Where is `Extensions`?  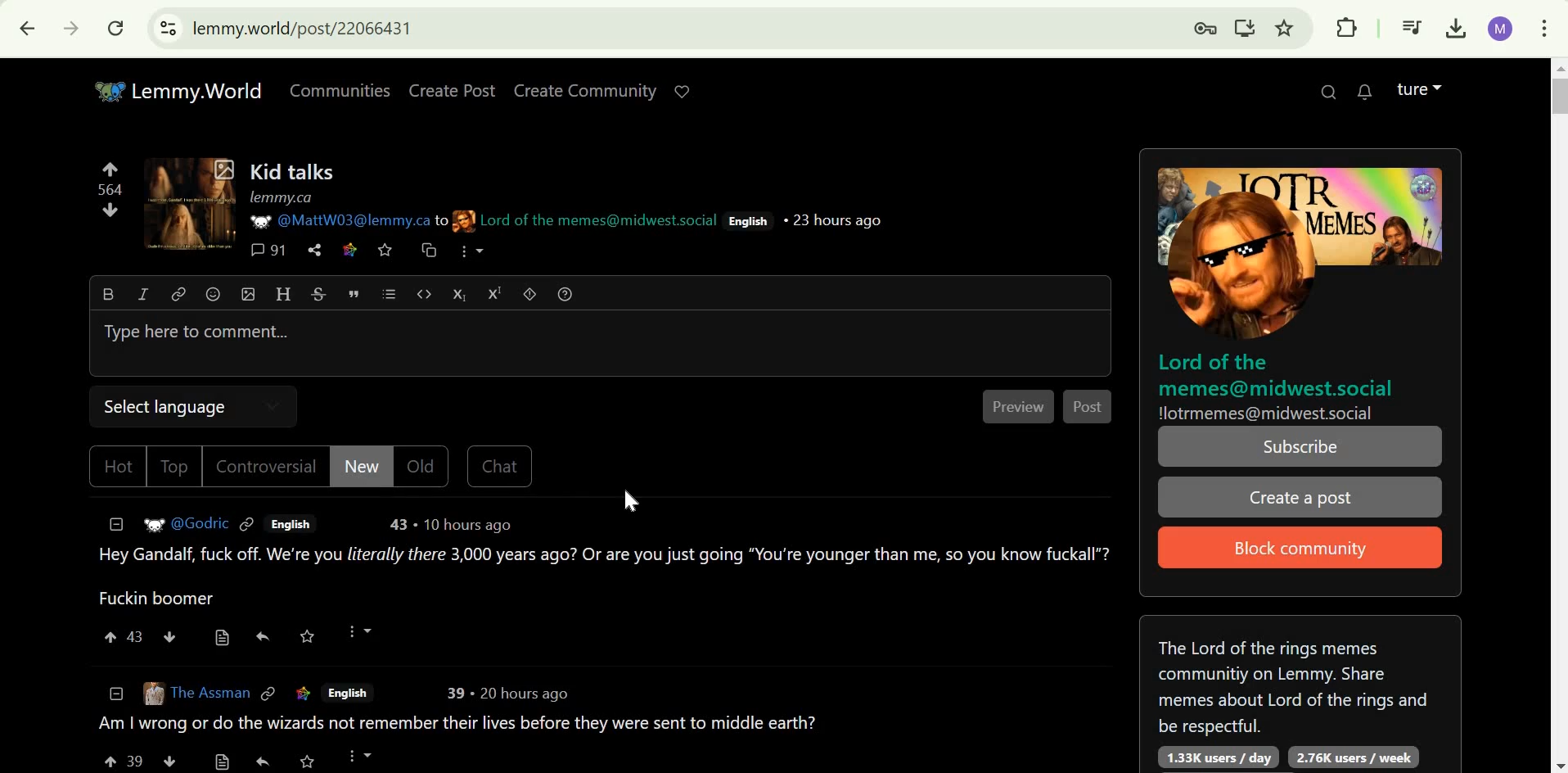
Extensions is located at coordinates (1347, 27).